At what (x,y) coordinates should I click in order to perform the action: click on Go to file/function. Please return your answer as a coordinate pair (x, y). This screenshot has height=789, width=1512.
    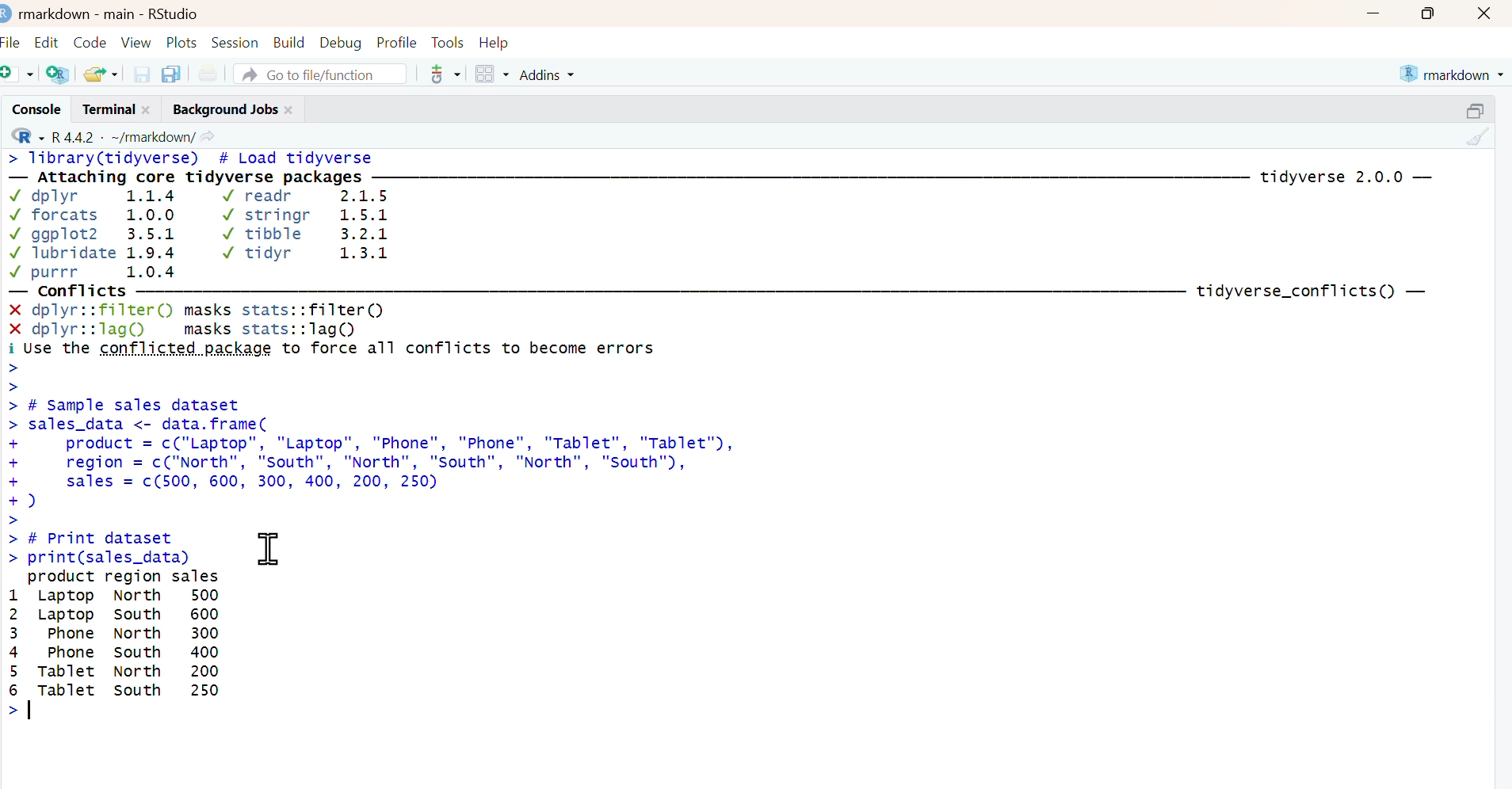
    Looking at the image, I should click on (322, 73).